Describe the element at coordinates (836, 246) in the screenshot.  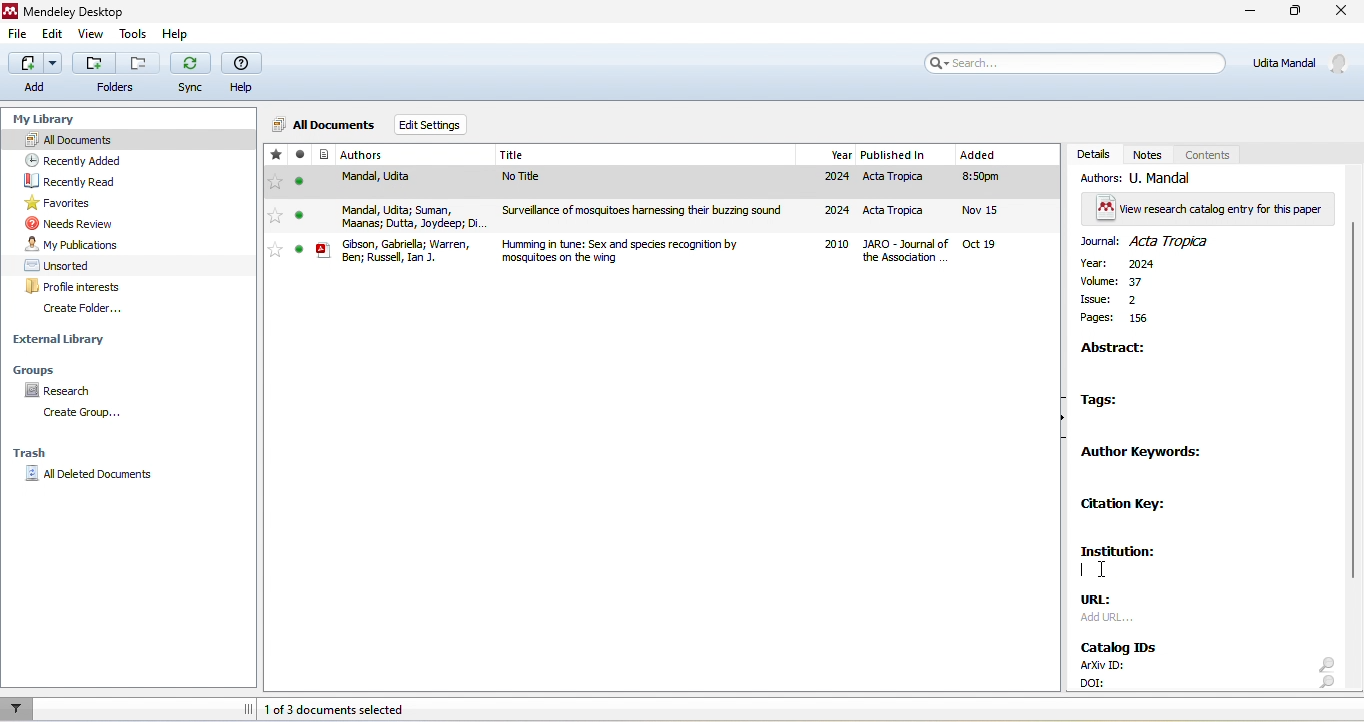
I see `2010` at that location.